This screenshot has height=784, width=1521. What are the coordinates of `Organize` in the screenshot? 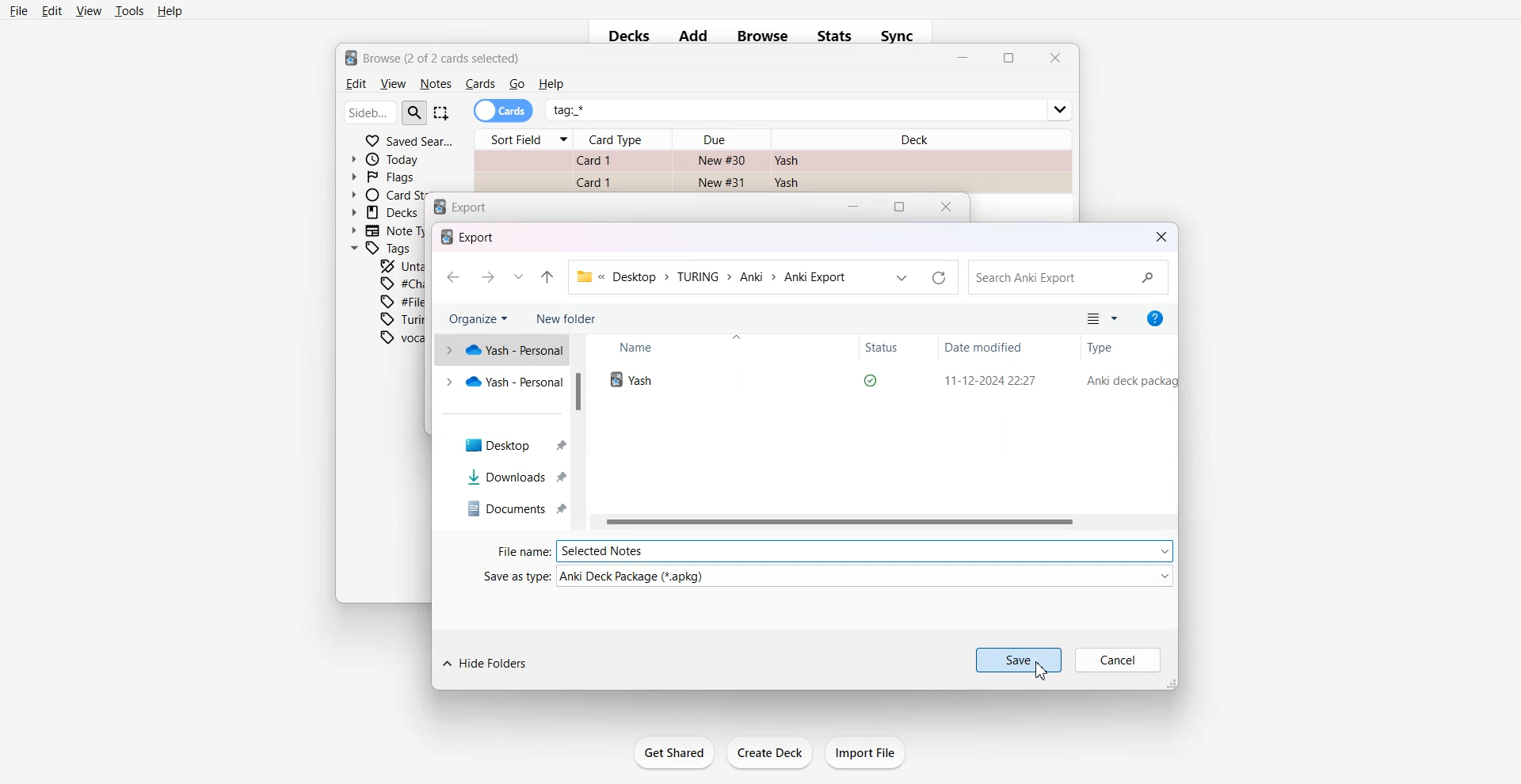 It's located at (479, 318).